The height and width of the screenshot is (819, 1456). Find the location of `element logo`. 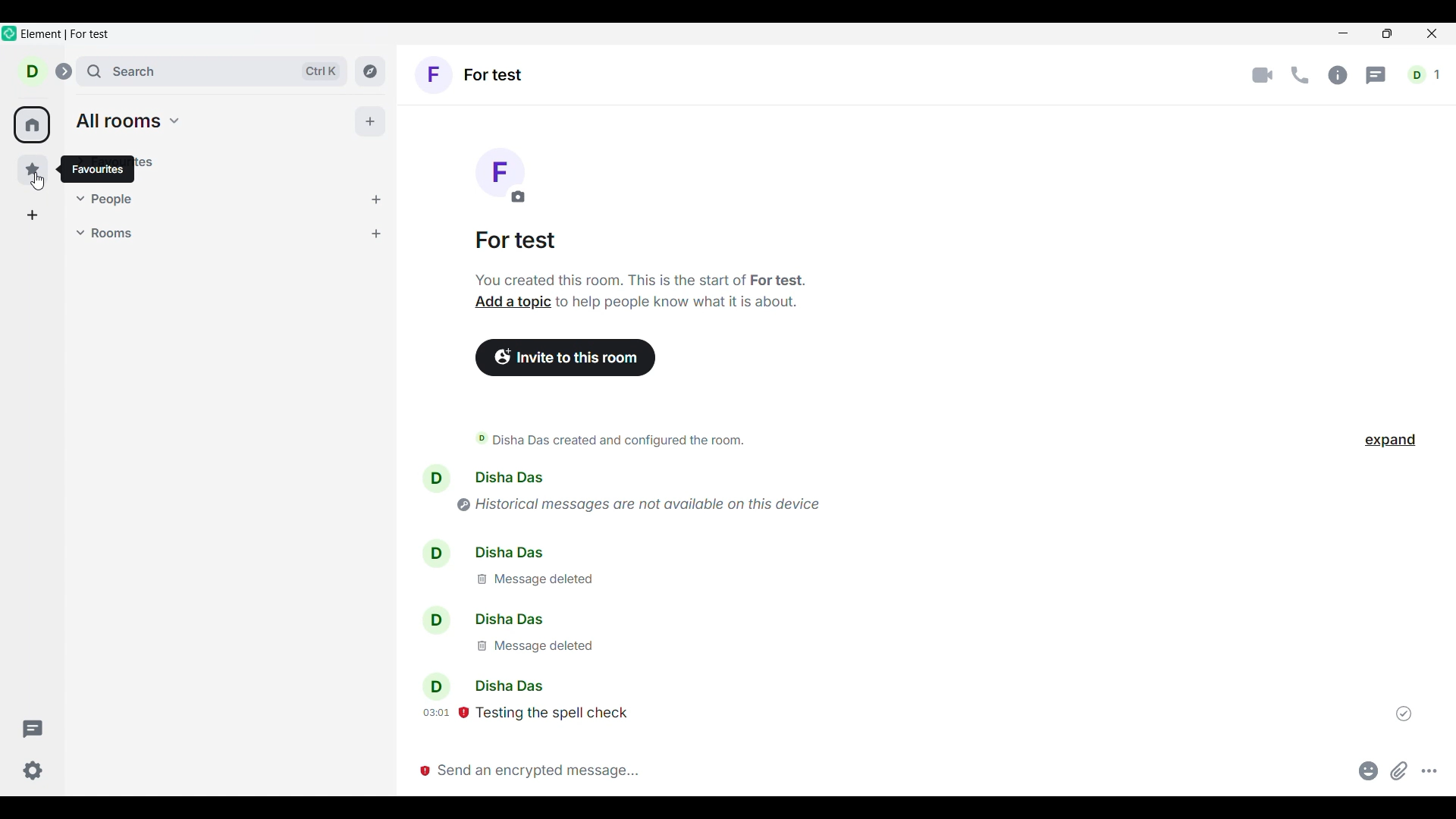

element logo is located at coordinates (10, 33).